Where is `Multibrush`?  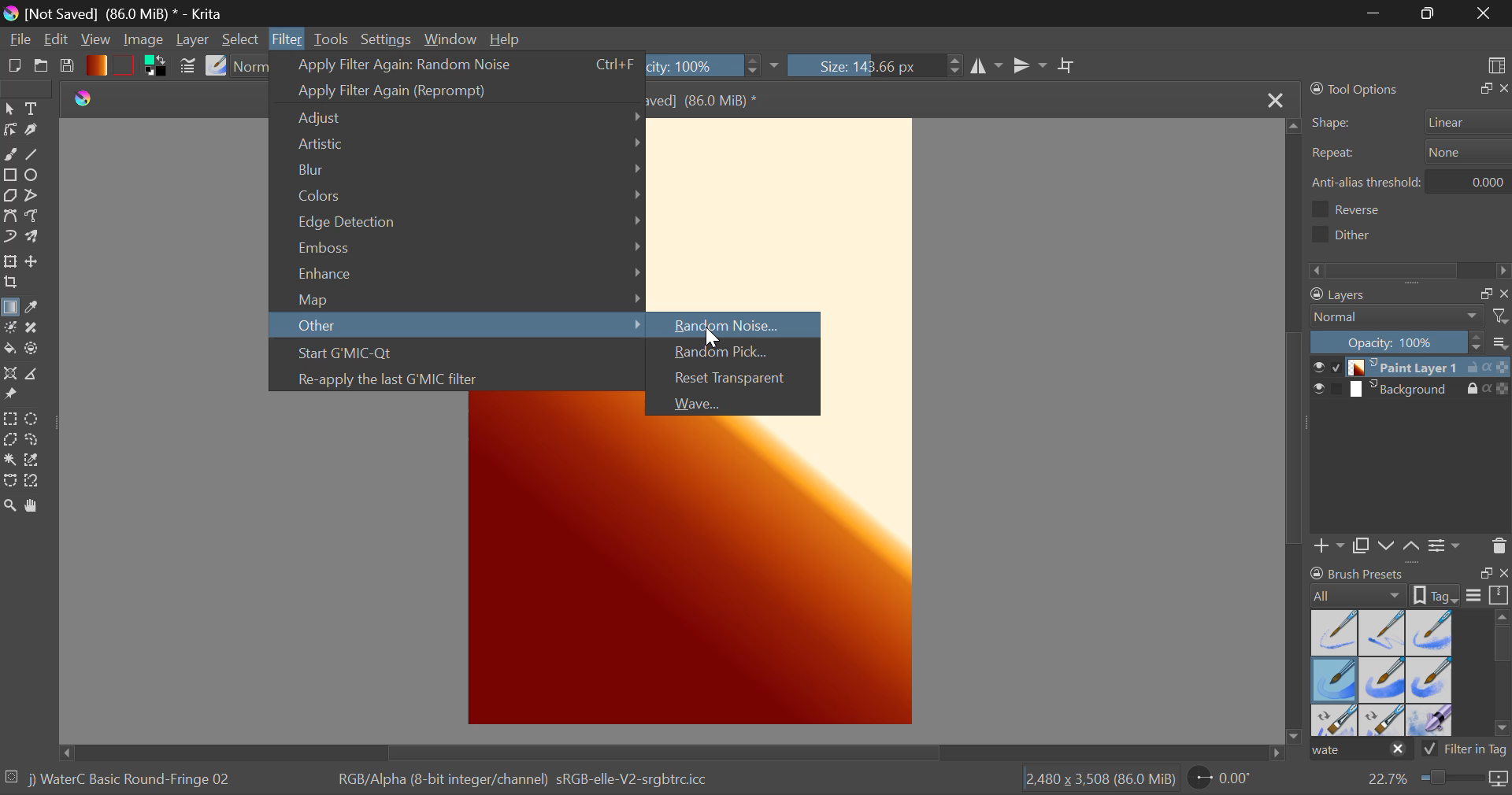
Multibrush is located at coordinates (34, 238).